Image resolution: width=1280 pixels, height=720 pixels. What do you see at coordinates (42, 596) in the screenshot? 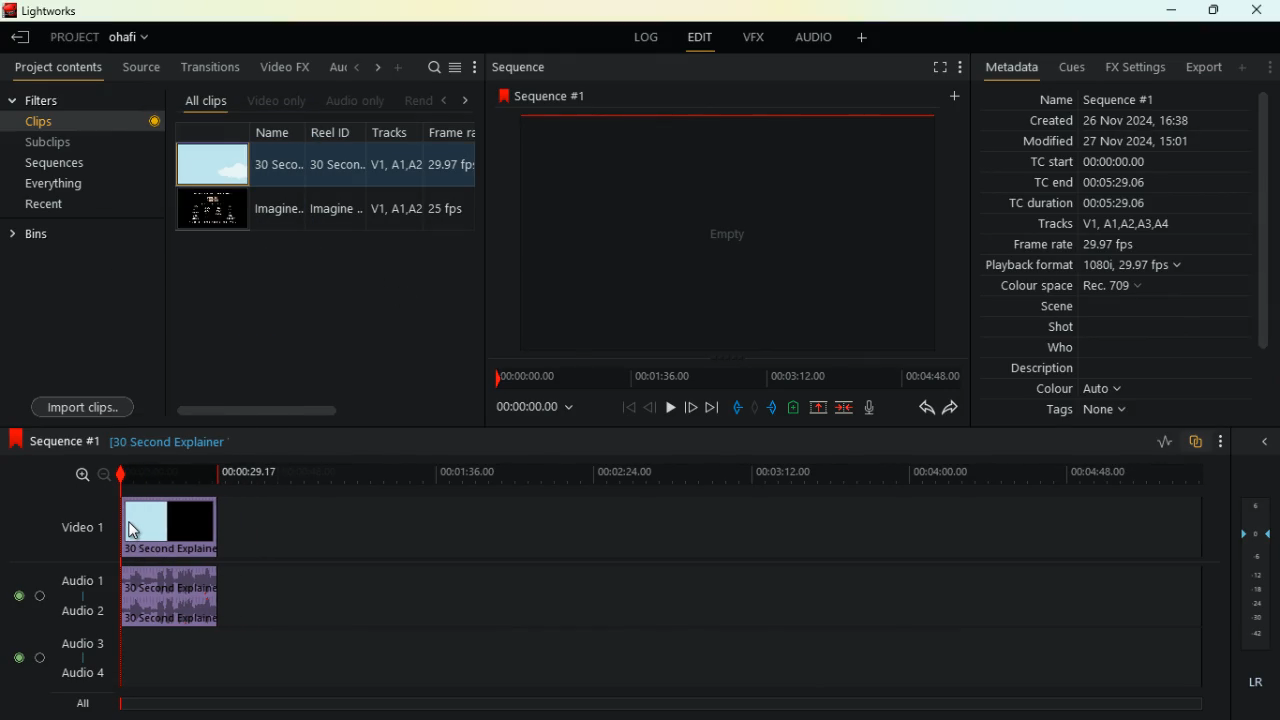
I see `toggle` at bounding box center [42, 596].